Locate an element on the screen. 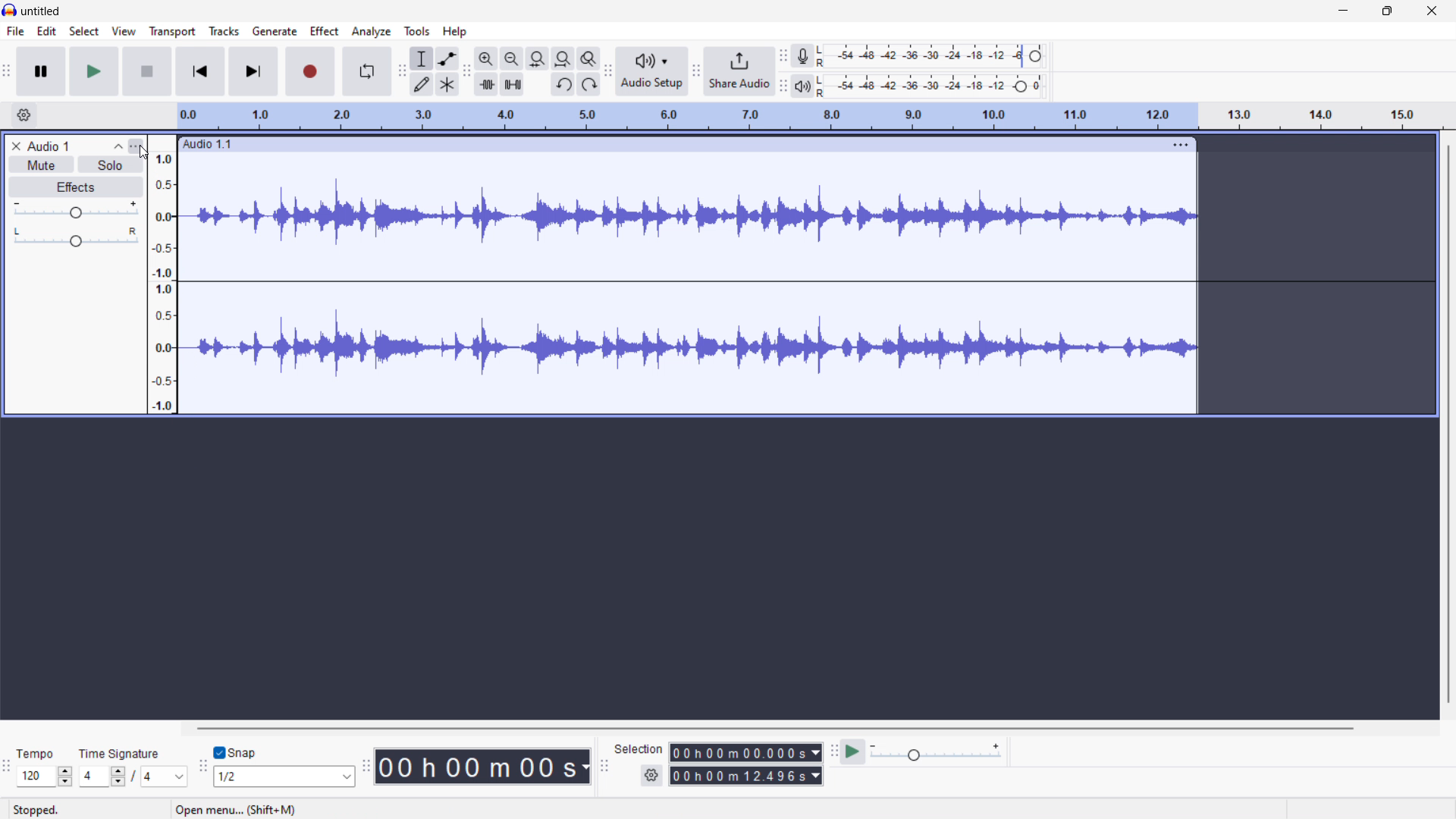 This screenshot has width=1456, height=819. time signature toolbar is located at coordinates (7, 770).